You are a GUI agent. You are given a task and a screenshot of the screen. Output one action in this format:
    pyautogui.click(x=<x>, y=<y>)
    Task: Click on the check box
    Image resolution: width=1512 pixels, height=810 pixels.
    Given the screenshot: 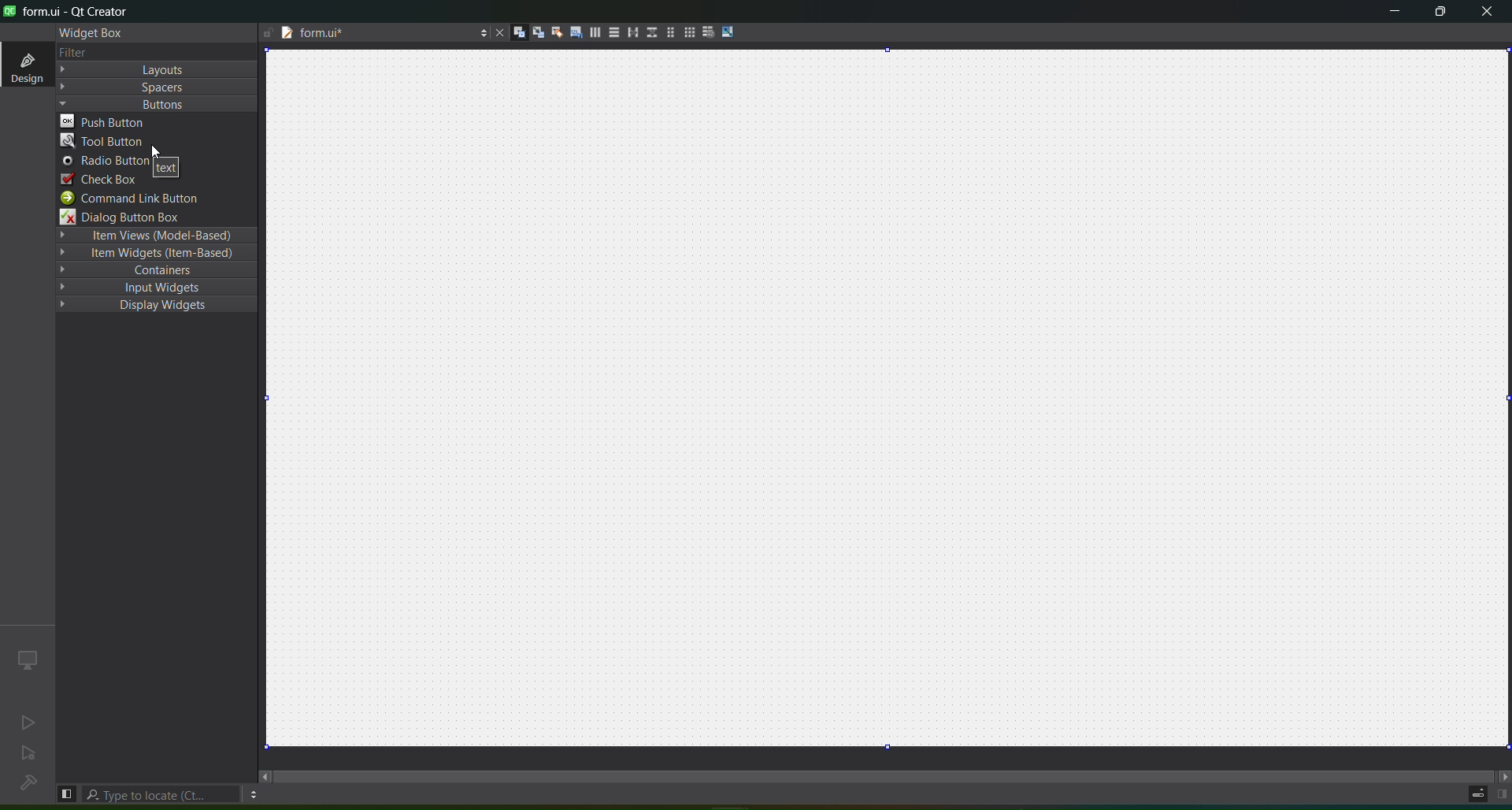 What is the action you would take?
    pyautogui.click(x=151, y=180)
    